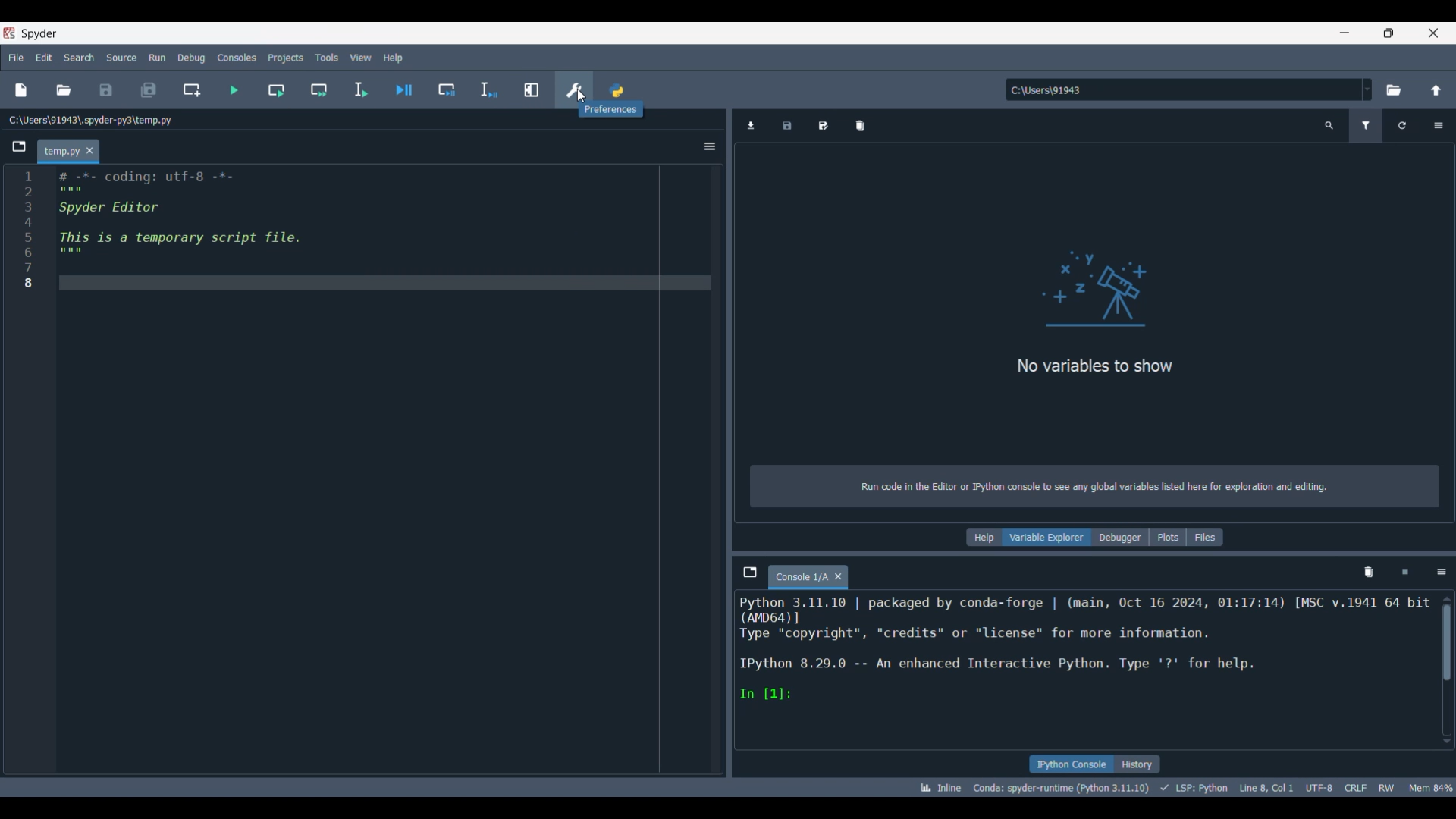 This screenshot has width=1456, height=819. What do you see at coordinates (860, 126) in the screenshot?
I see `Remove all variables` at bounding box center [860, 126].